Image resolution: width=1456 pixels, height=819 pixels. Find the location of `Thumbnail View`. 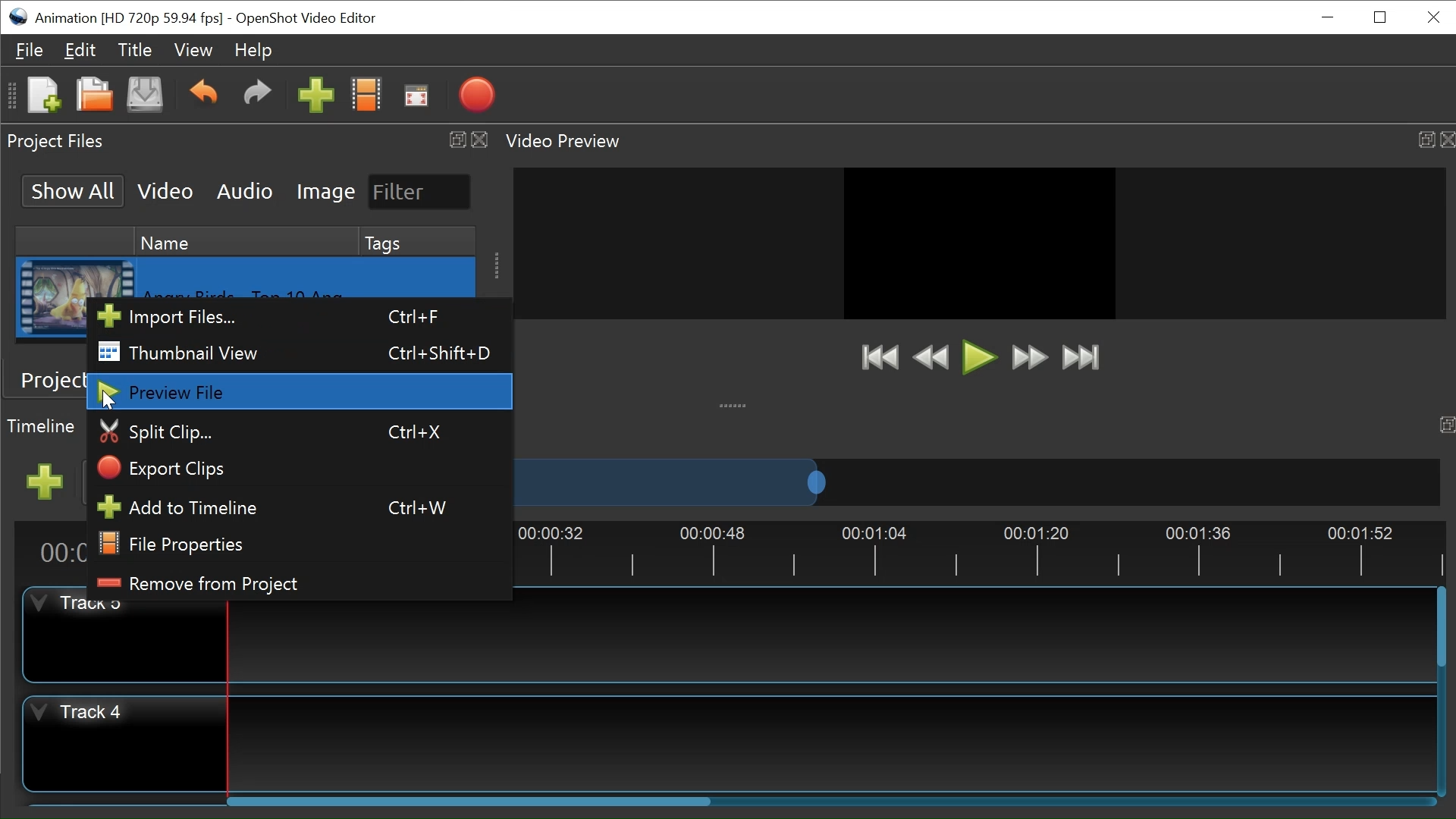

Thumbnail View is located at coordinates (295, 352).